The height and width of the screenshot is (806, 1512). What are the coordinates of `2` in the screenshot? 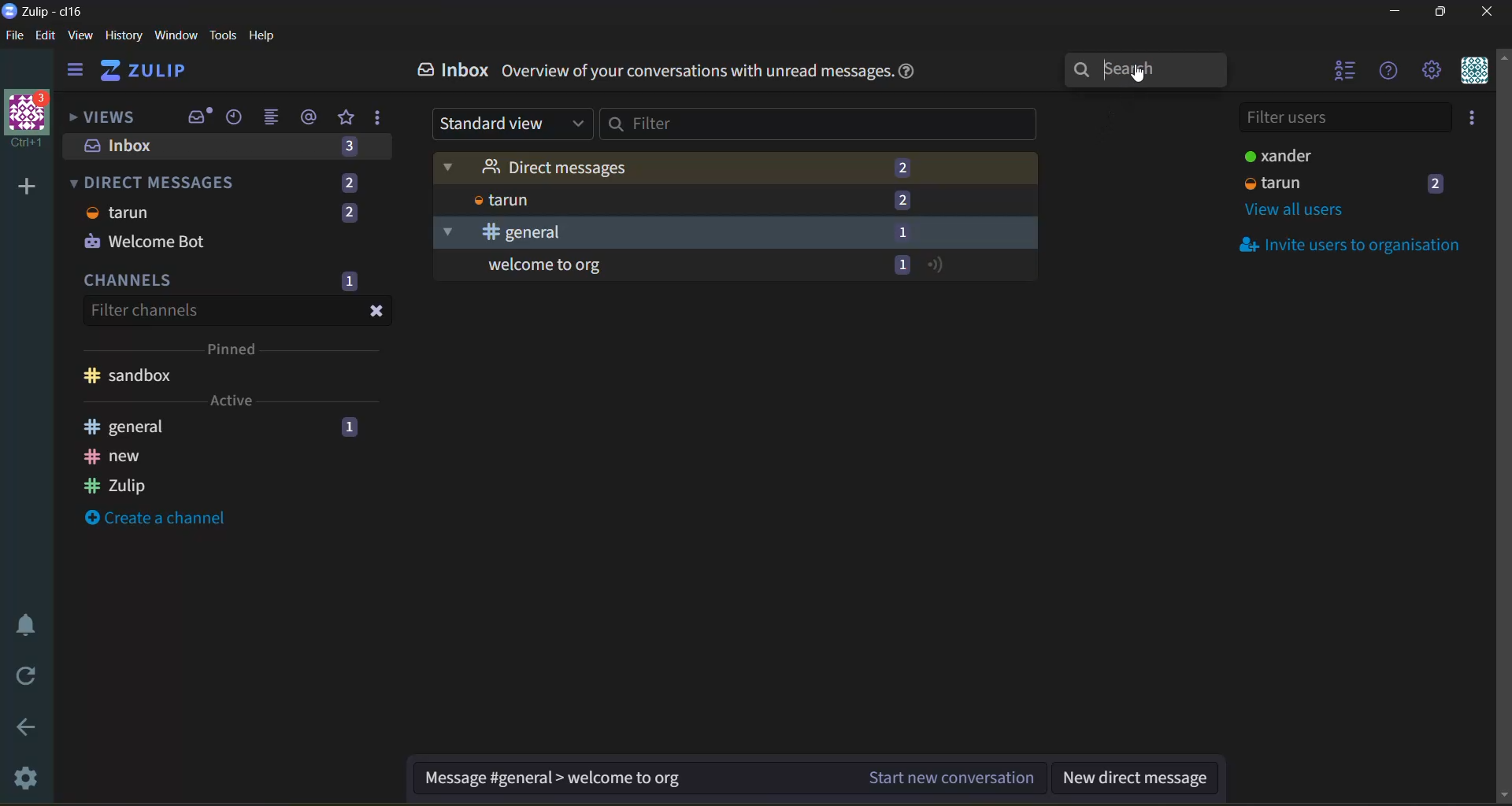 It's located at (903, 200).